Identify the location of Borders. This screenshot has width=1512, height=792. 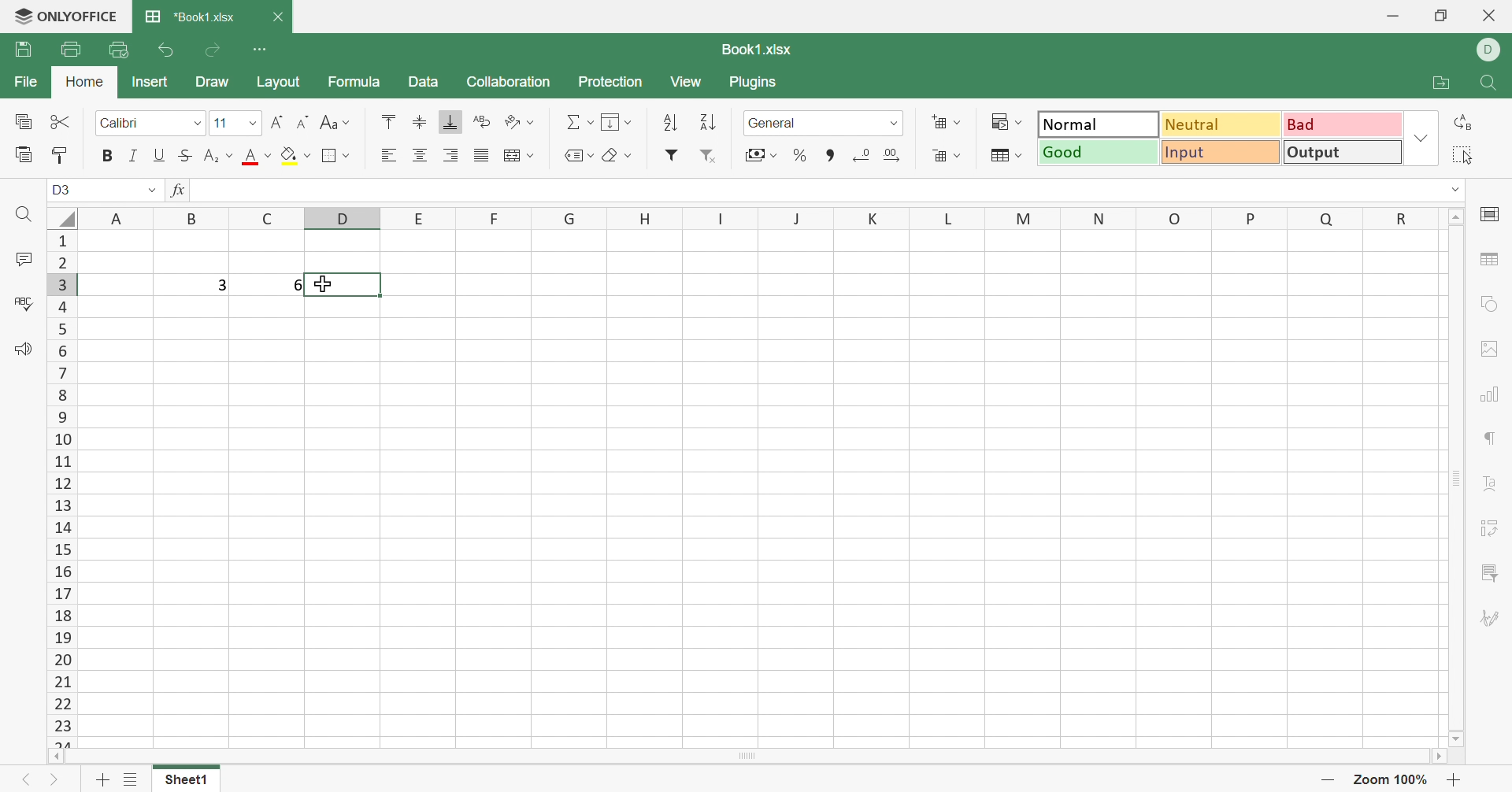
(335, 156).